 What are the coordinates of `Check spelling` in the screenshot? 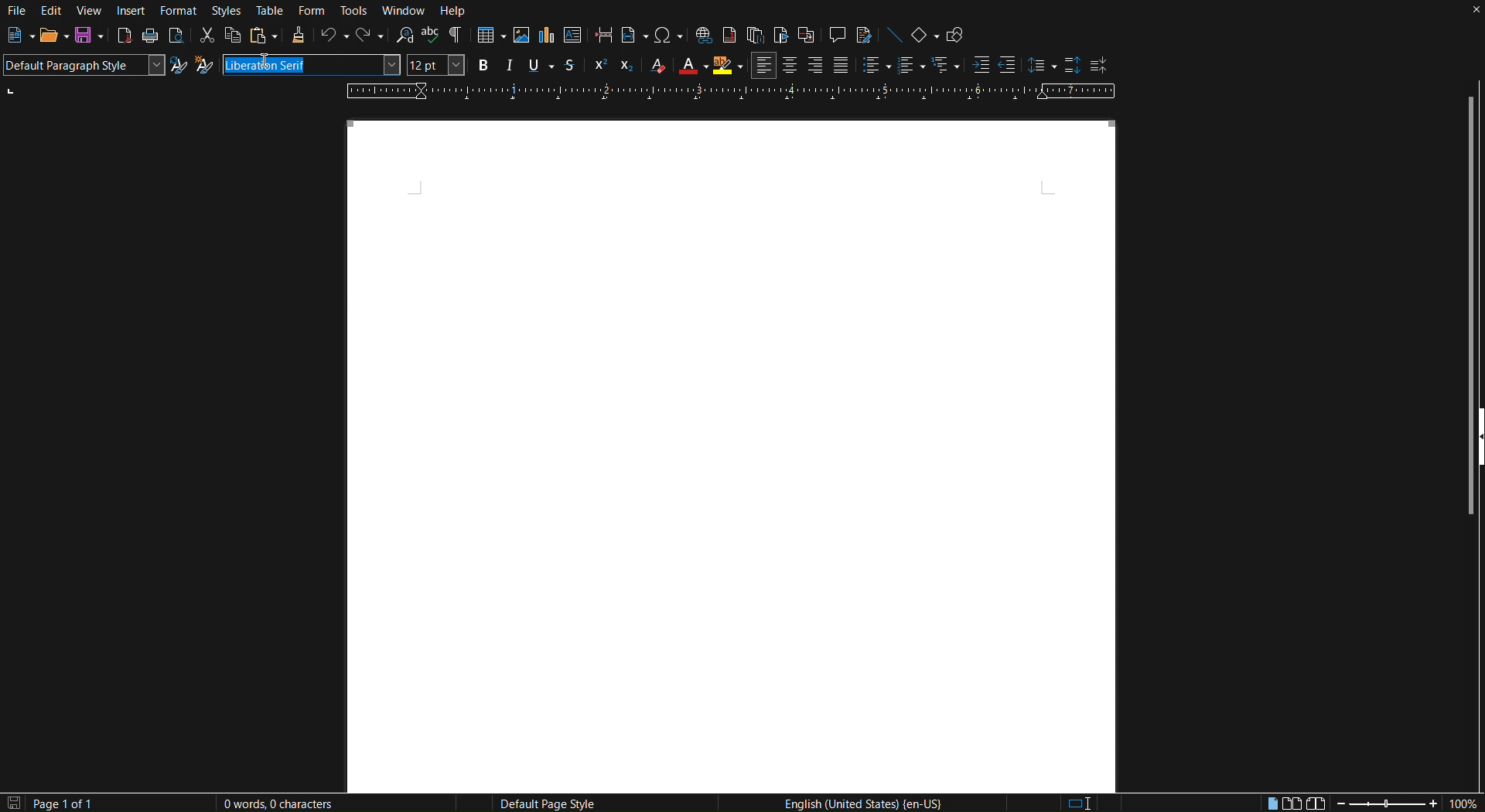 It's located at (433, 38).